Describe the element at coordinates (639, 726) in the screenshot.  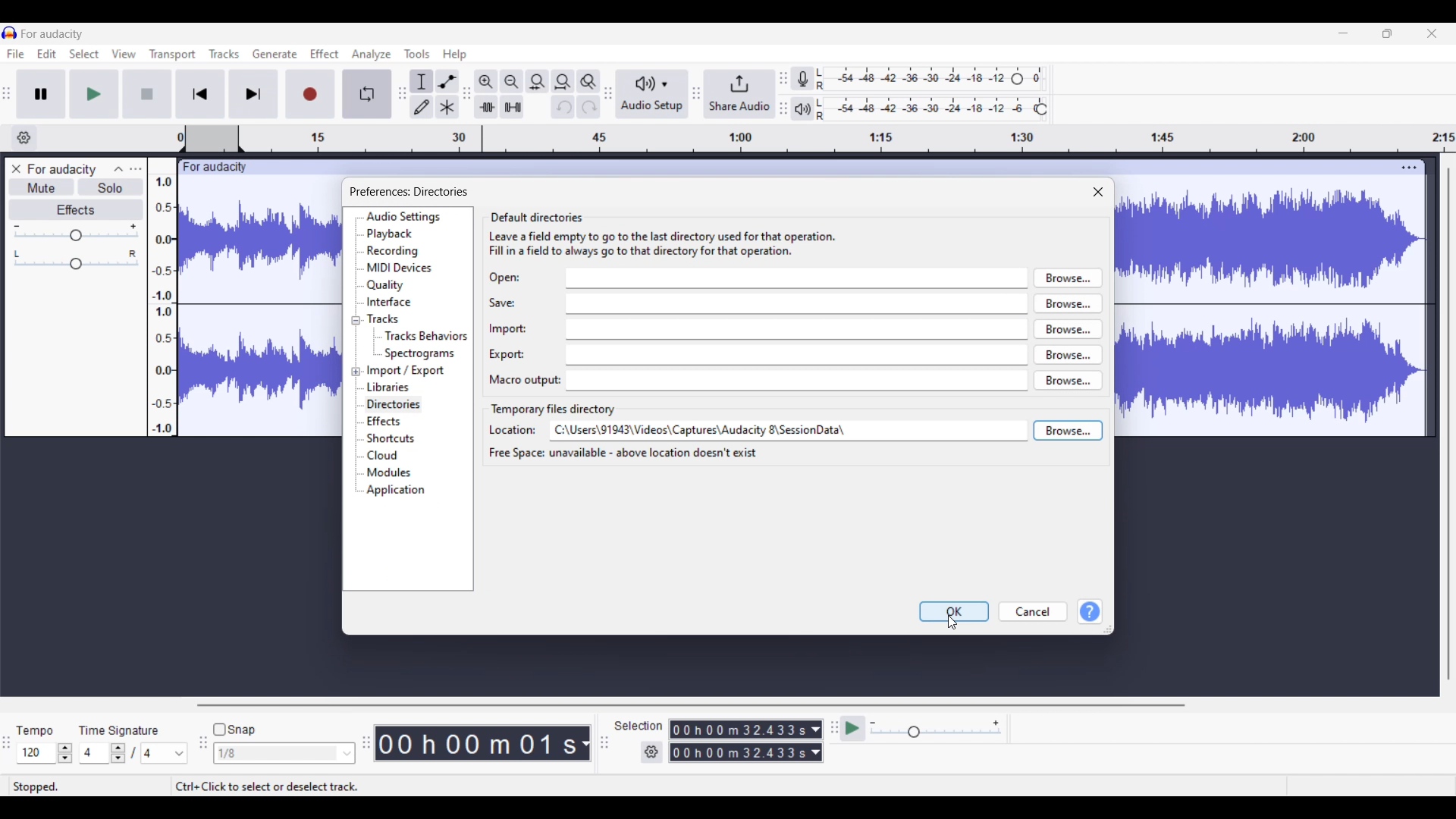
I see `Indicates selection duration` at that location.